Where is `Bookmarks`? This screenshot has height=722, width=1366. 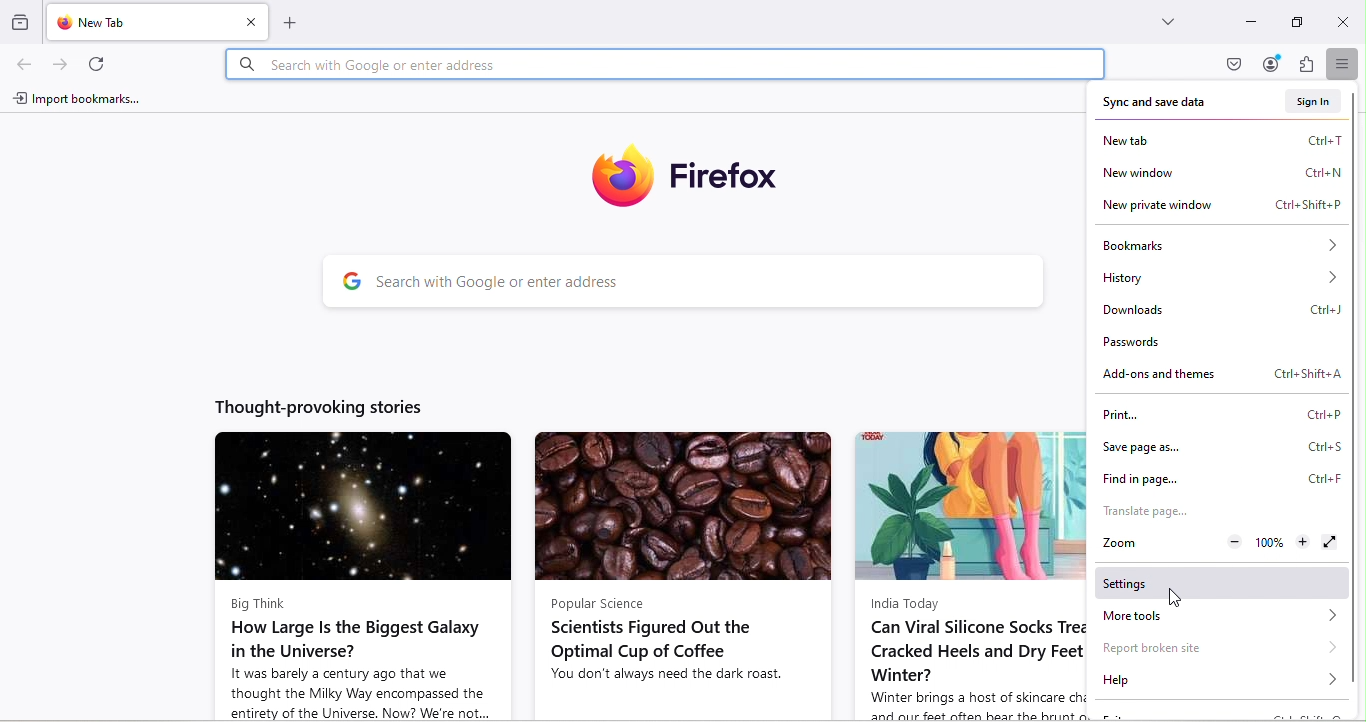
Bookmarks is located at coordinates (1218, 244).